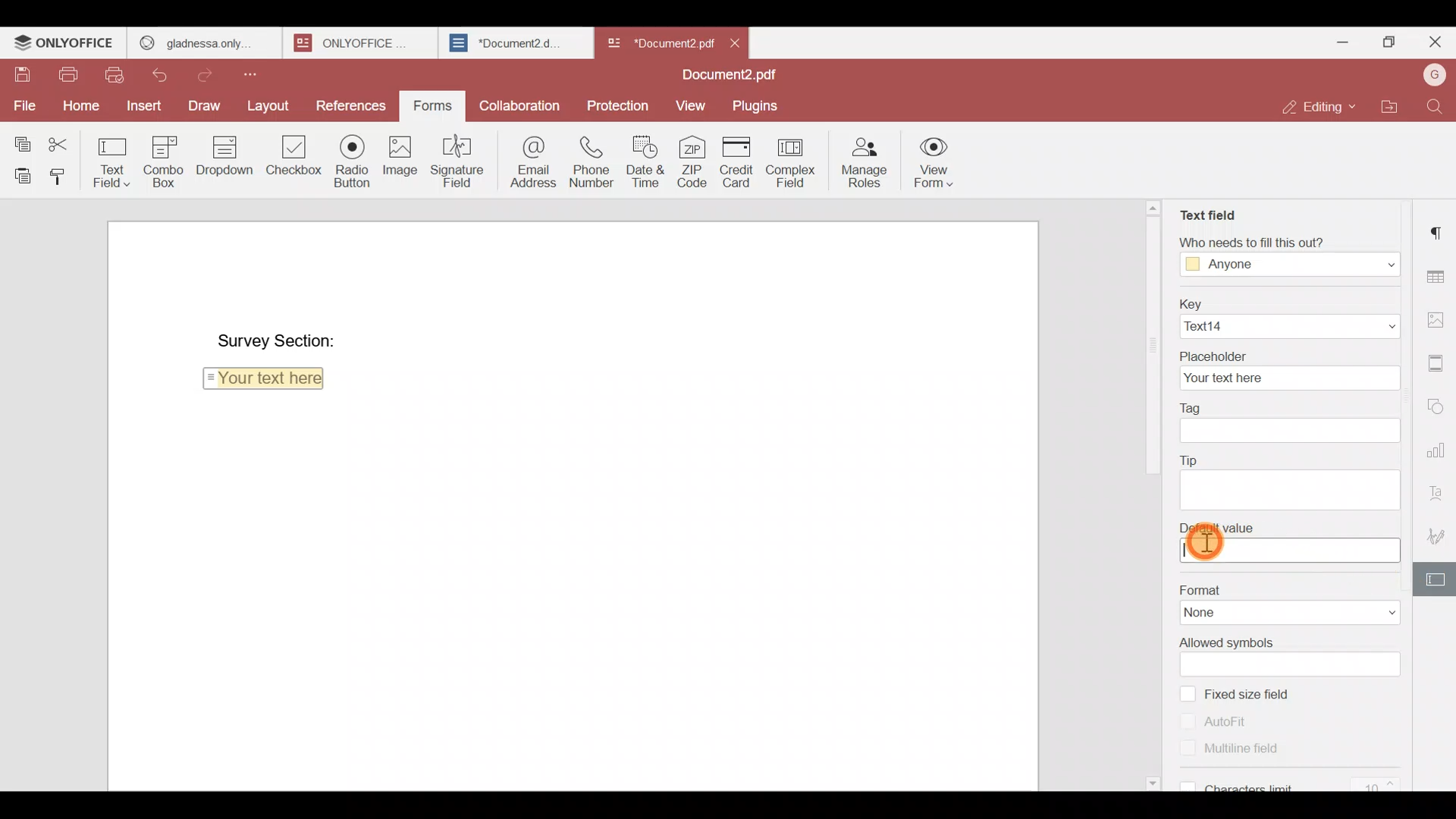 The height and width of the screenshot is (819, 1456). What do you see at coordinates (1288, 429) in the screenshot?
I see `textbox` at bounding box center [1288, 429].